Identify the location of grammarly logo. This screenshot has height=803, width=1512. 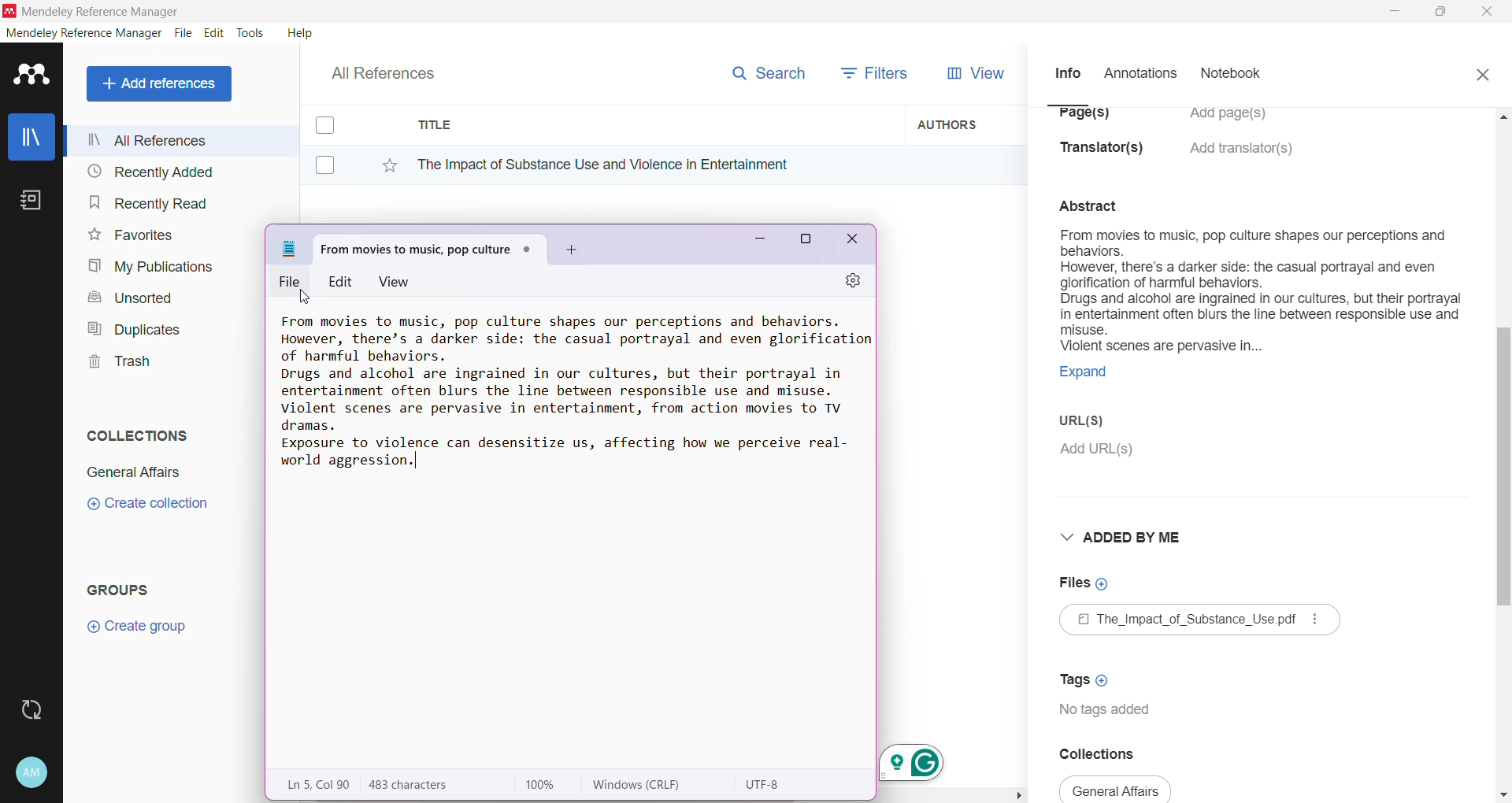
(920, 762).